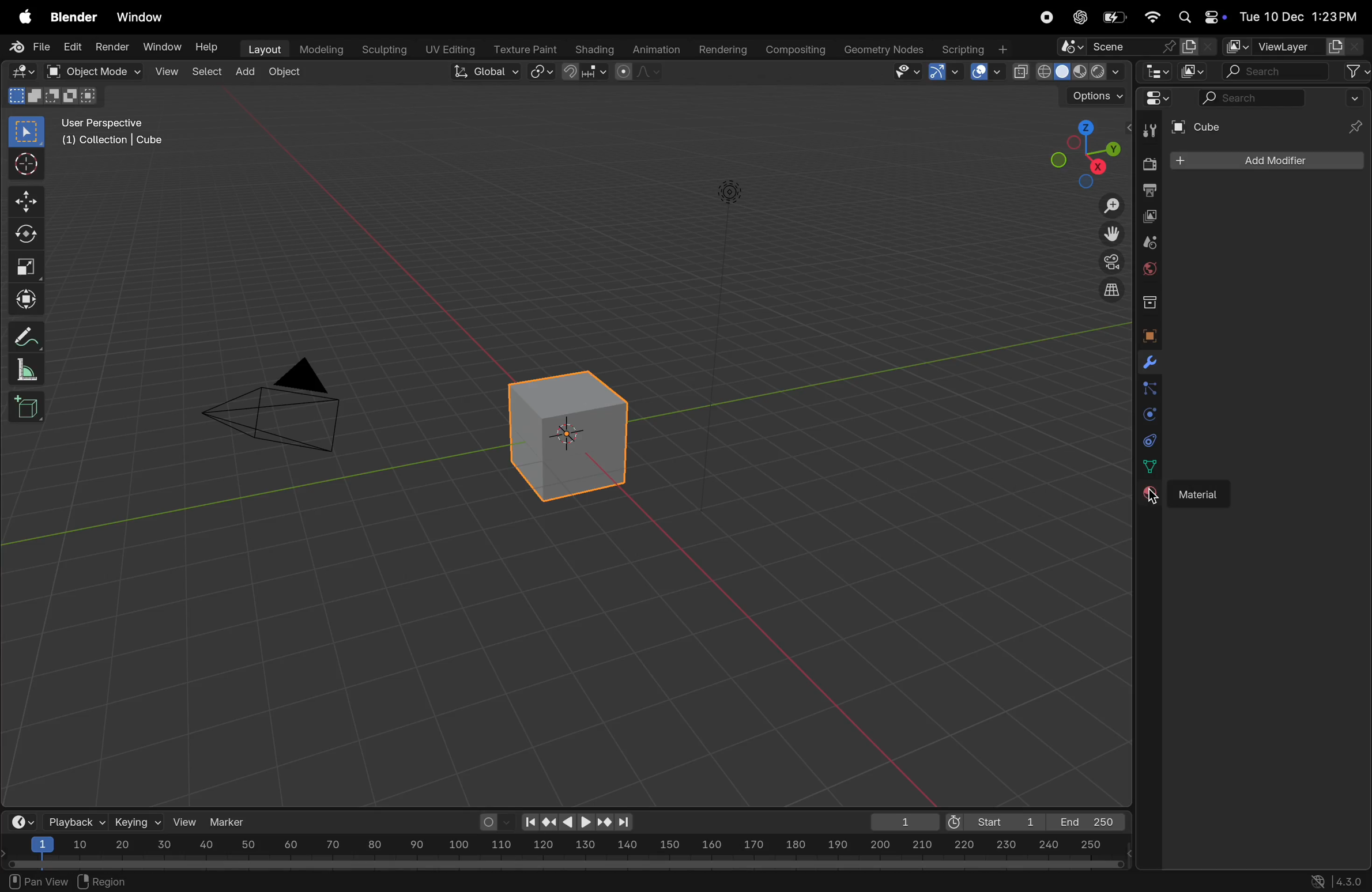 This screenshot has width=1372, height=892. What do you see at coordinates (1297, 17) in the screenshot?
I see `Tue 12 dec 1.23 pm` at bounding box center [1297, 17].